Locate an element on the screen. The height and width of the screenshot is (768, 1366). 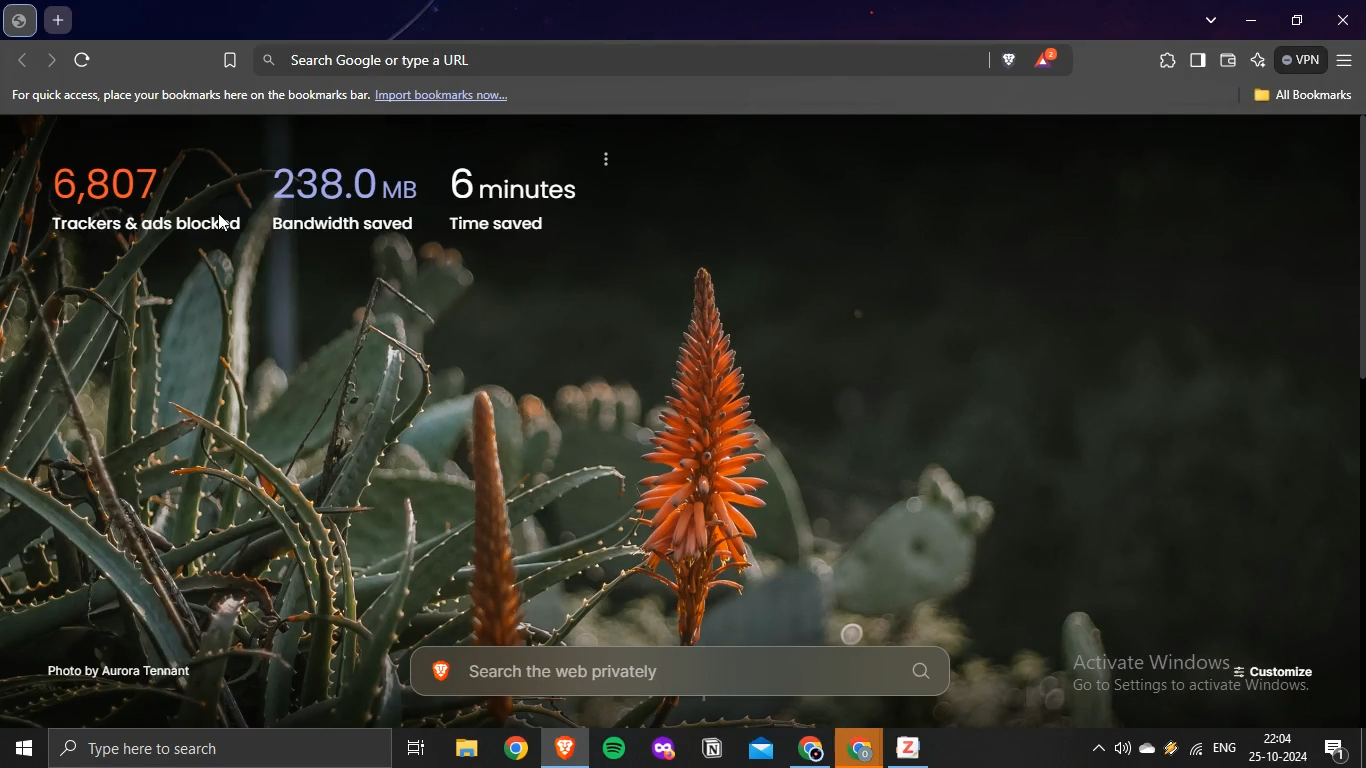
search google or type a Url is located at coordinates (438, 59).